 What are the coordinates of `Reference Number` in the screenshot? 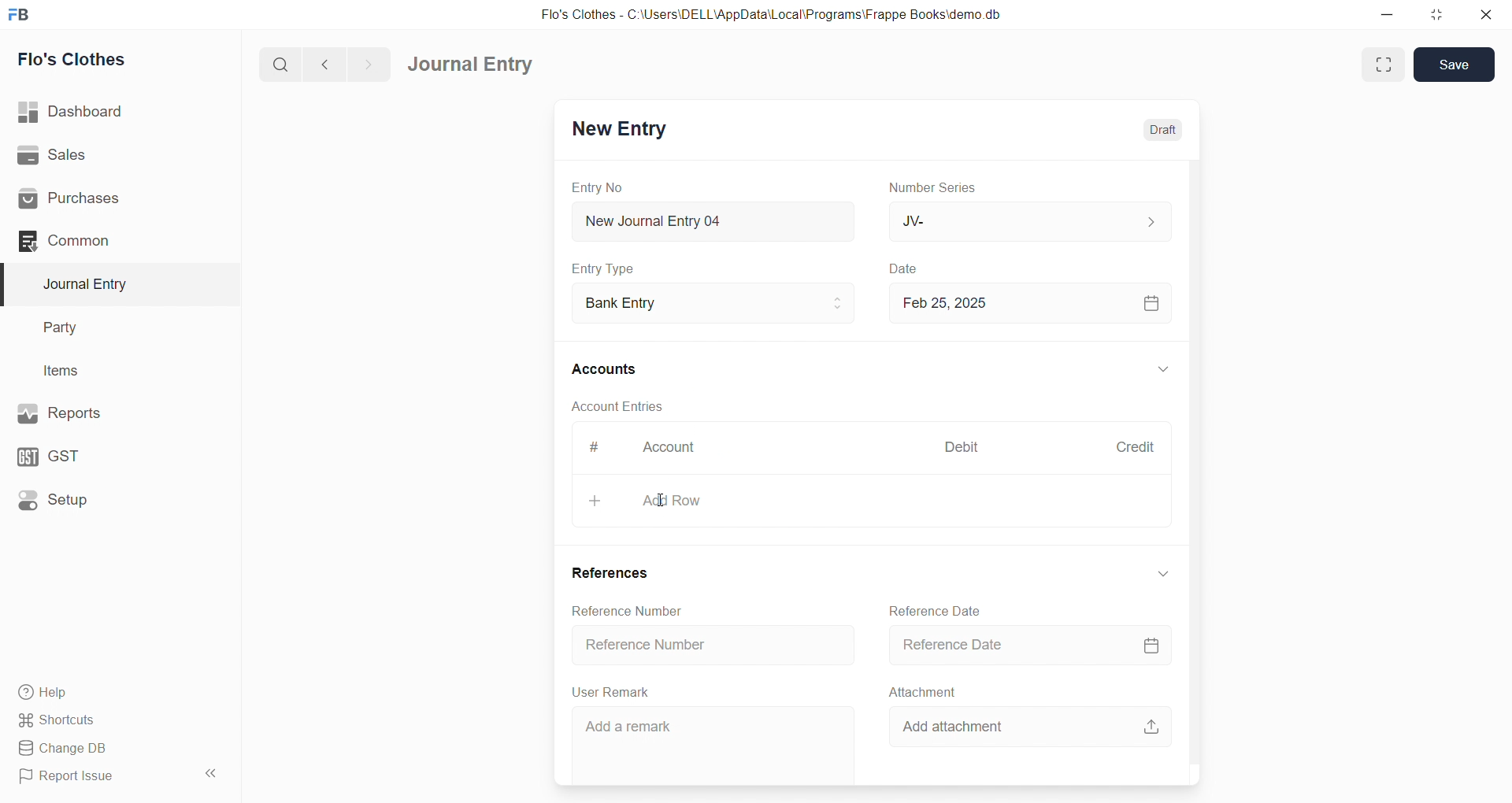 It's located at (632, 610).